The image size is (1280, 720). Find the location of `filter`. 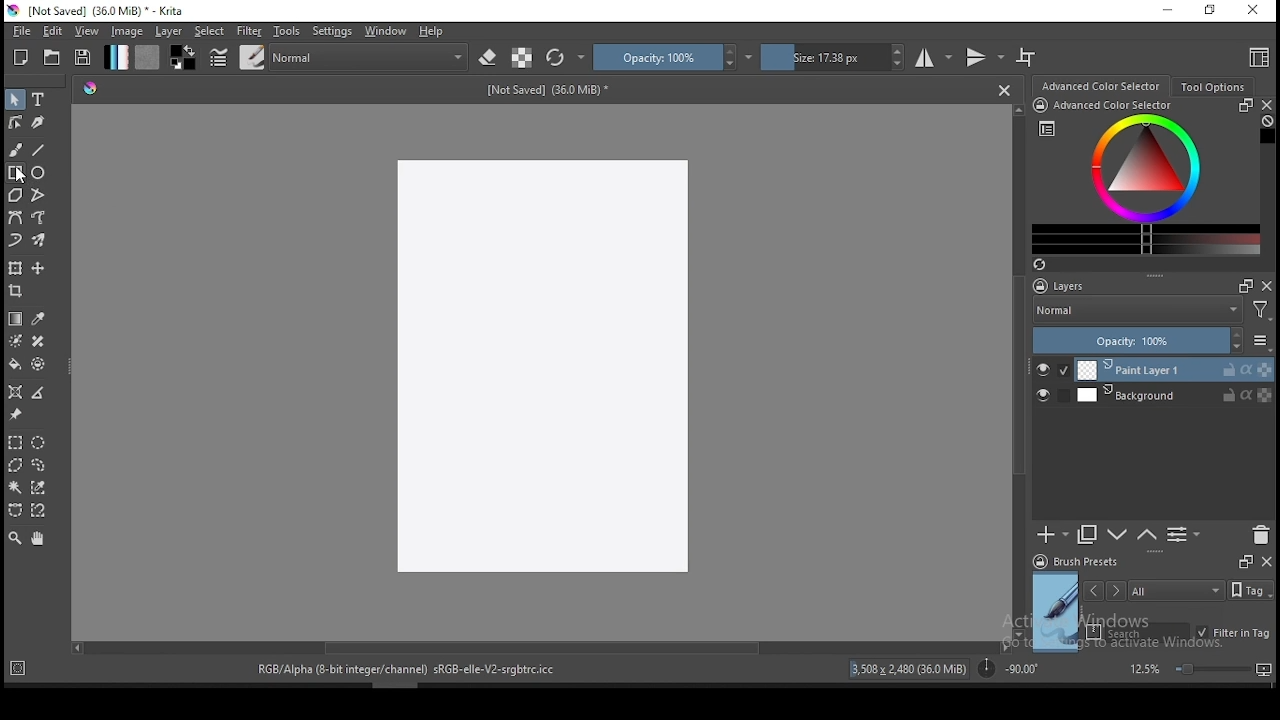

filter is located at coordinates (248, 31).